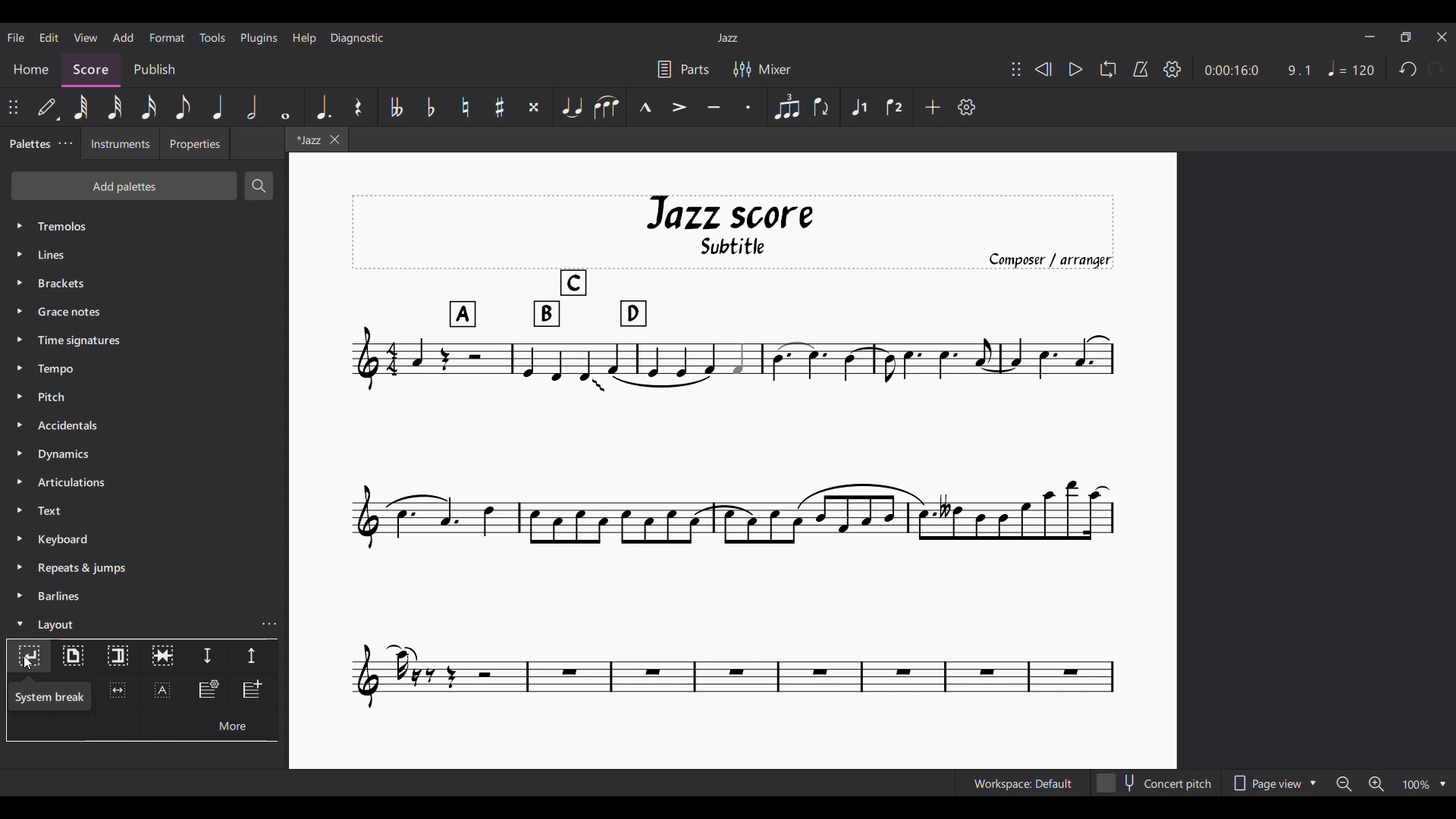  I want to click on Diagnostic menu, so click(357, 38).